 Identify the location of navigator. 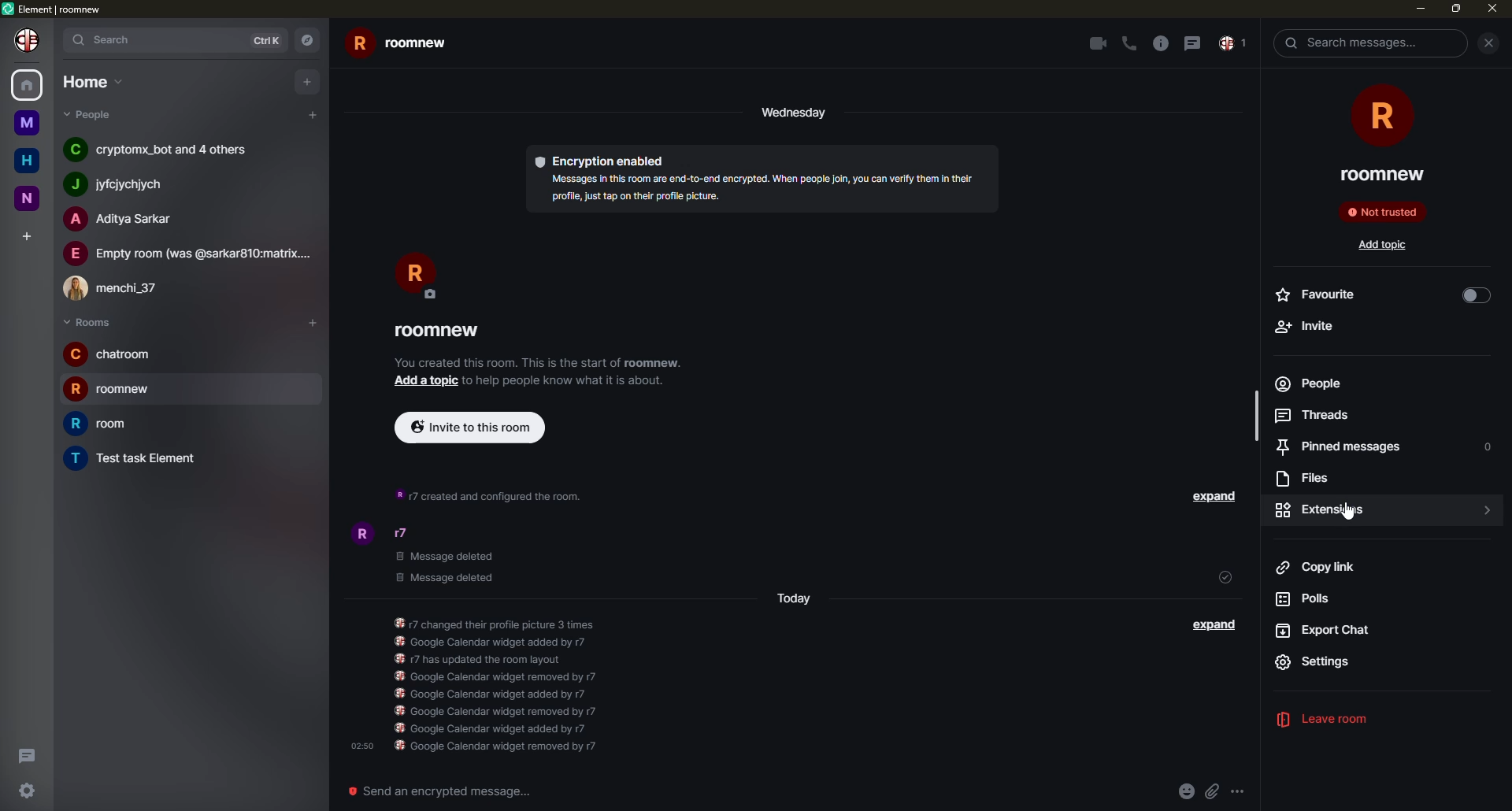
(308, 39).